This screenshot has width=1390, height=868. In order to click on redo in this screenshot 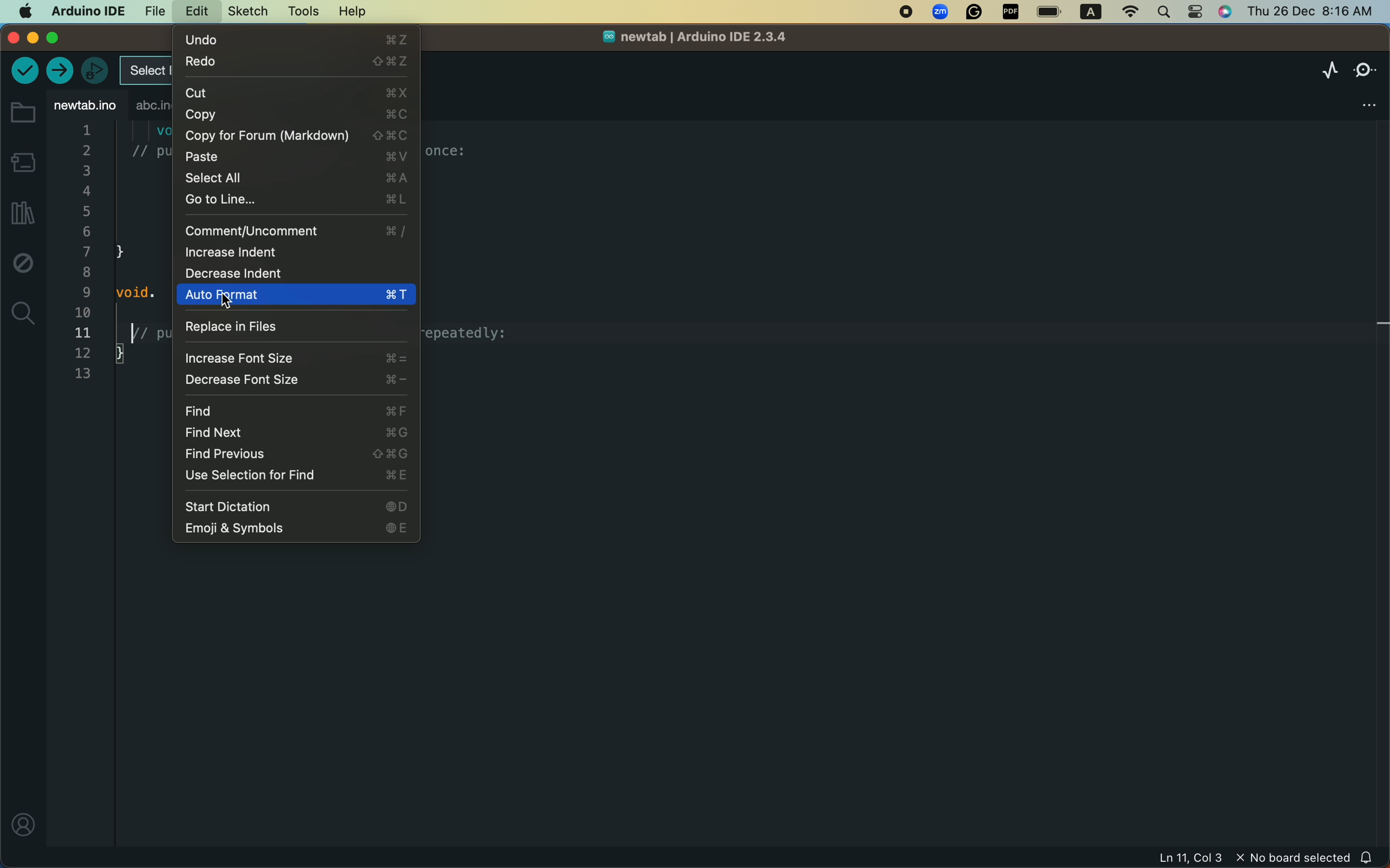, I will do `click(295, 62)`.